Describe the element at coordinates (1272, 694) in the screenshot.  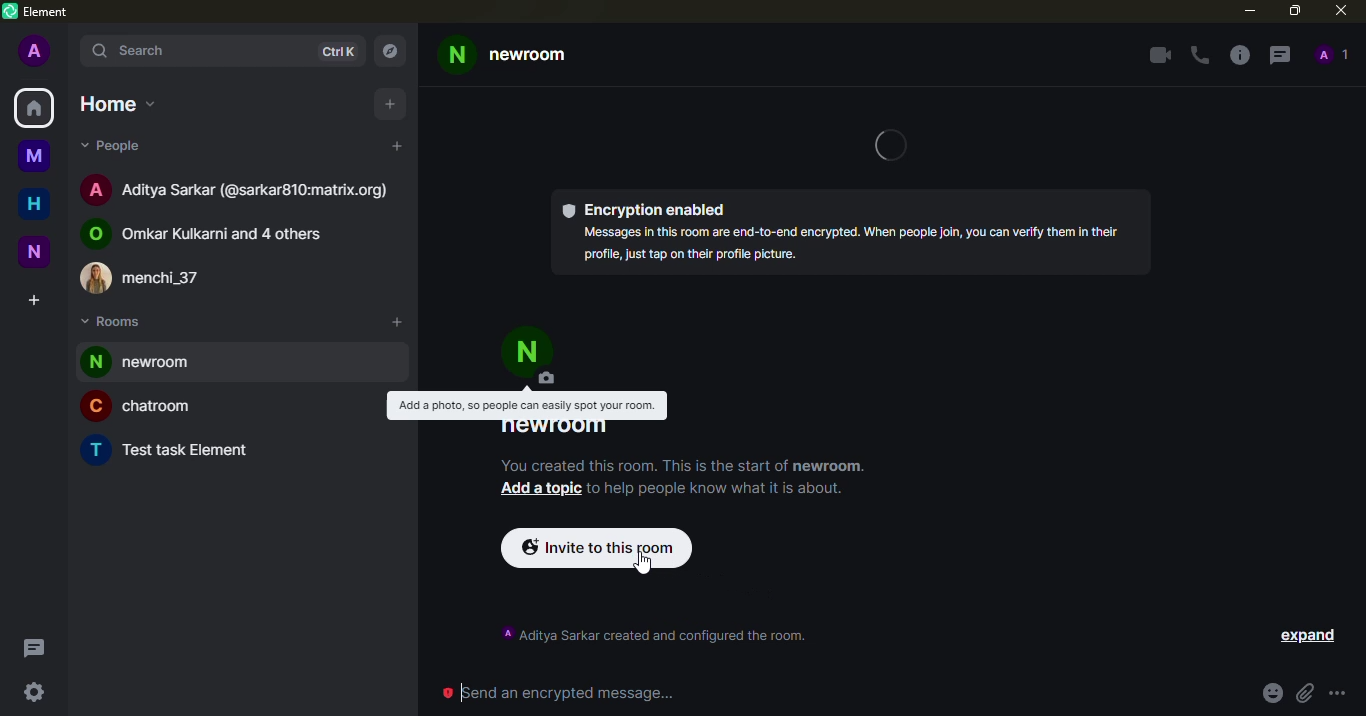
I see `emoji` at that location.